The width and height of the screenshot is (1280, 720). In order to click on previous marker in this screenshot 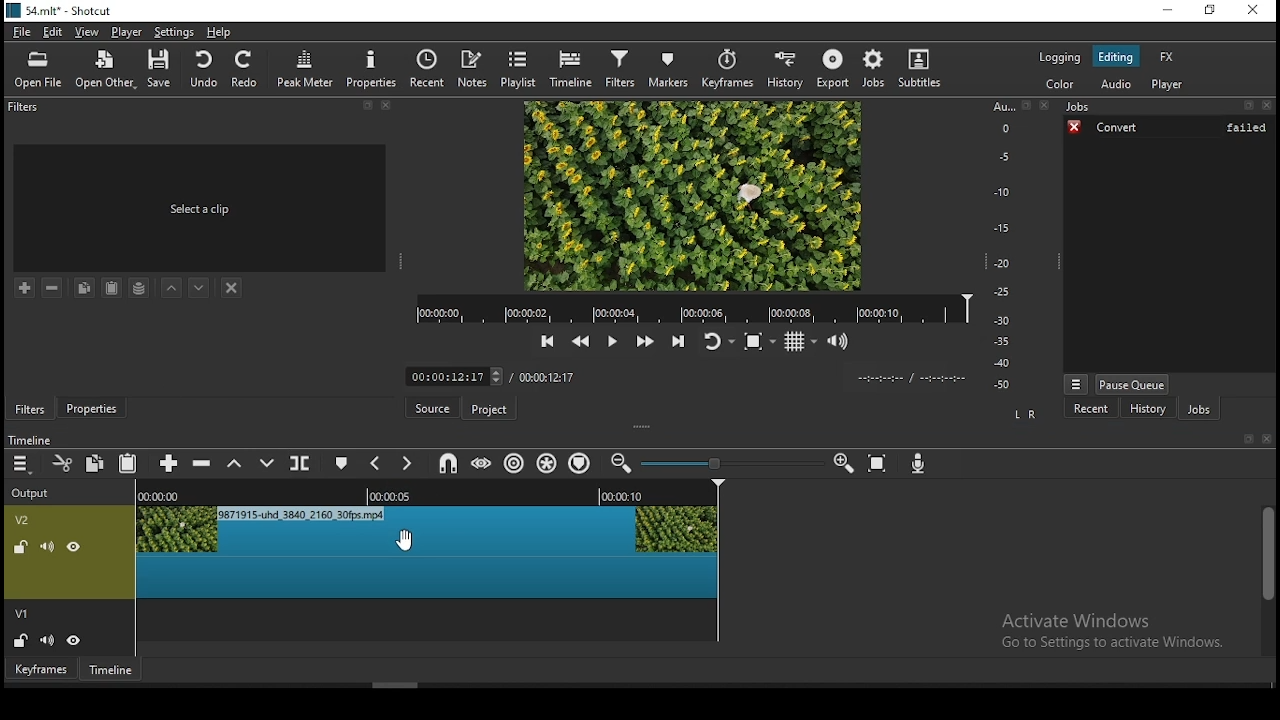, I will do `click(376, 465)`.